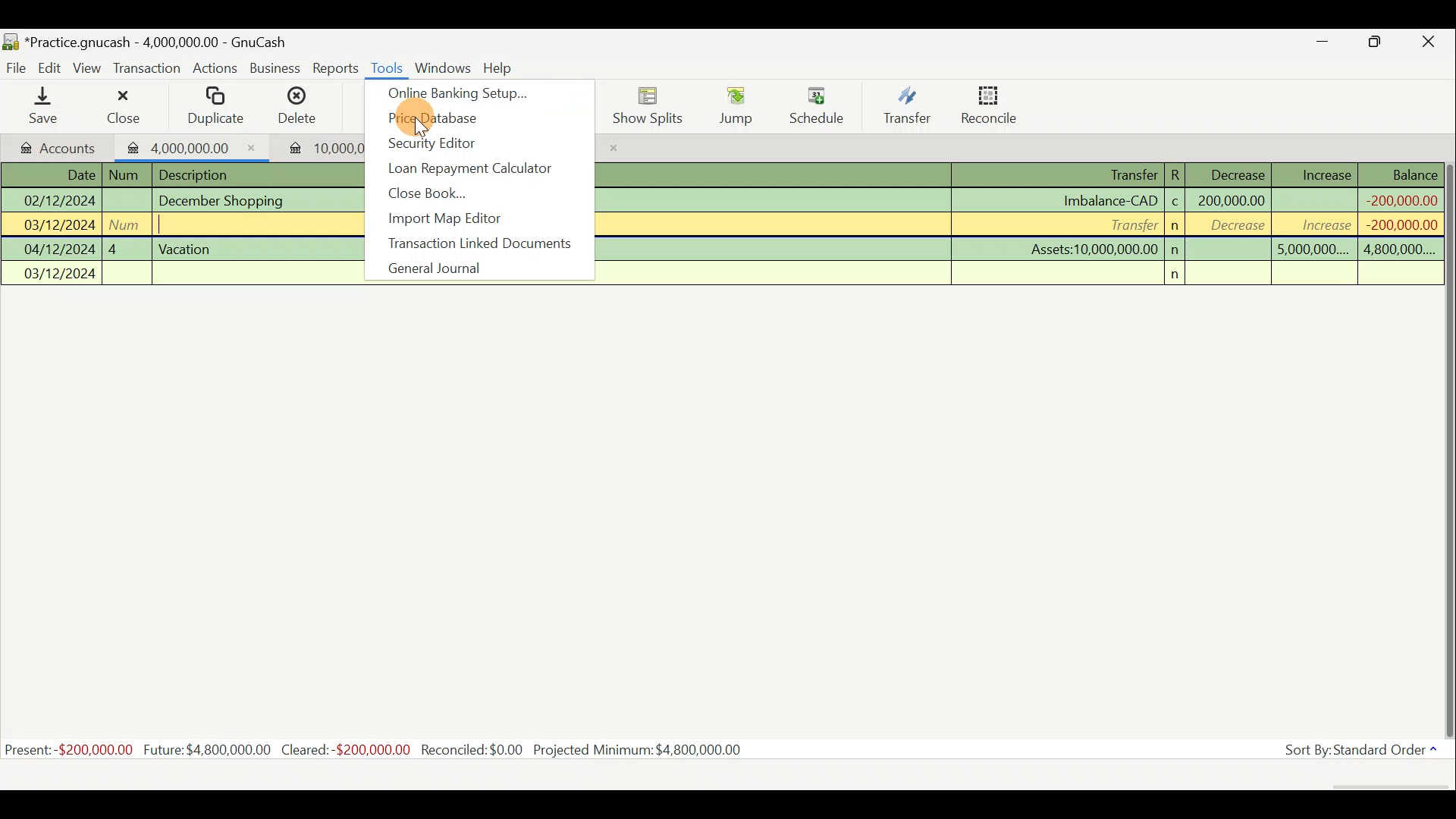 The image size is (1456, 819). What do you see at coordinates (1109, 200) in the screenshot?
I see `Imbalance-CAD` at bounding box center [1109, 200].